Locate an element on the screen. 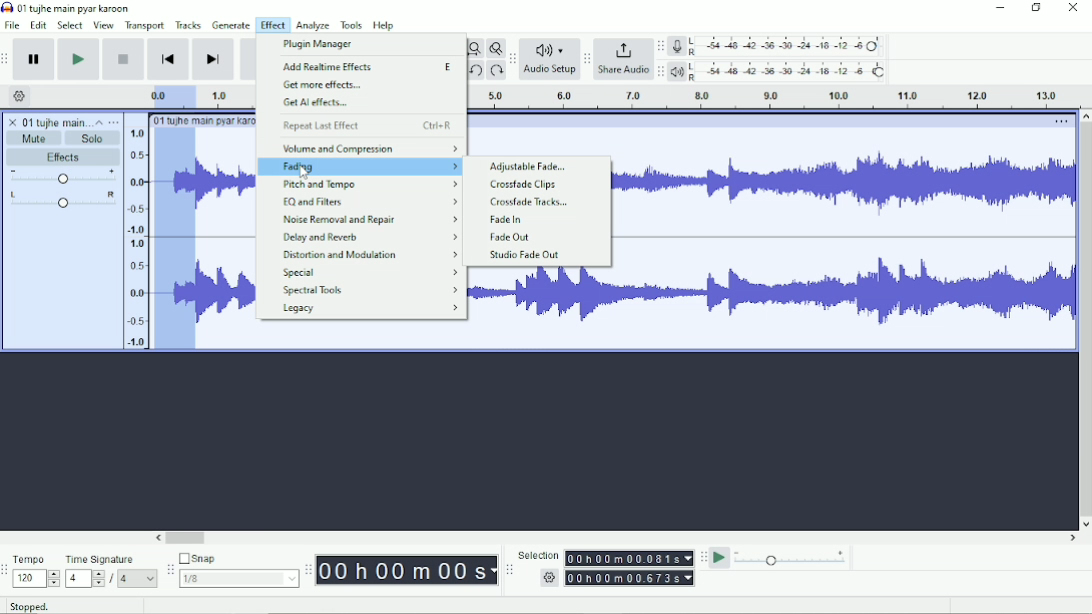 This screenshot has width=1092, height=614. cancel logo is located at coordinates (14, 122).